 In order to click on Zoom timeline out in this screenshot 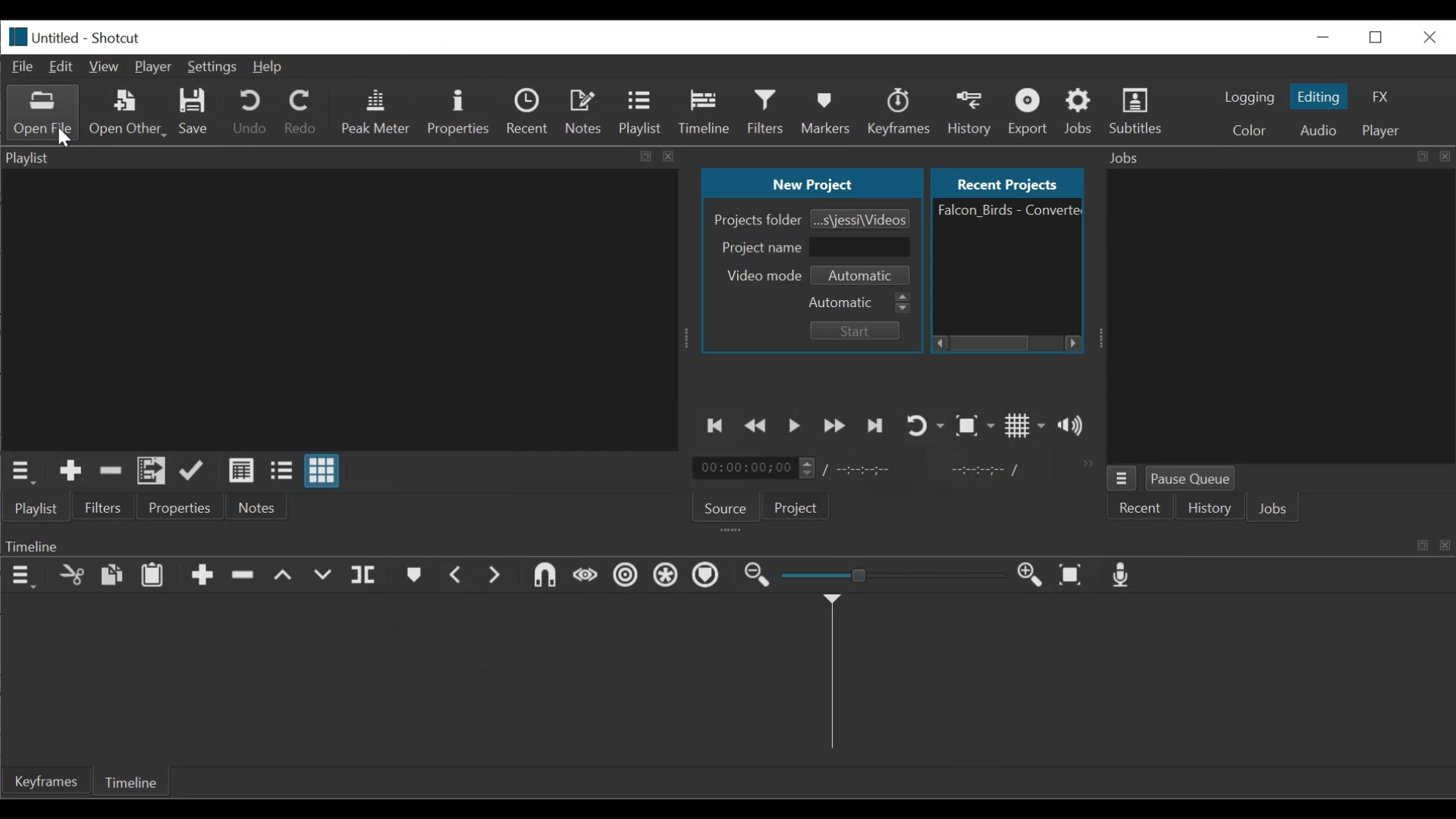, I will do `click(755, 579)`.